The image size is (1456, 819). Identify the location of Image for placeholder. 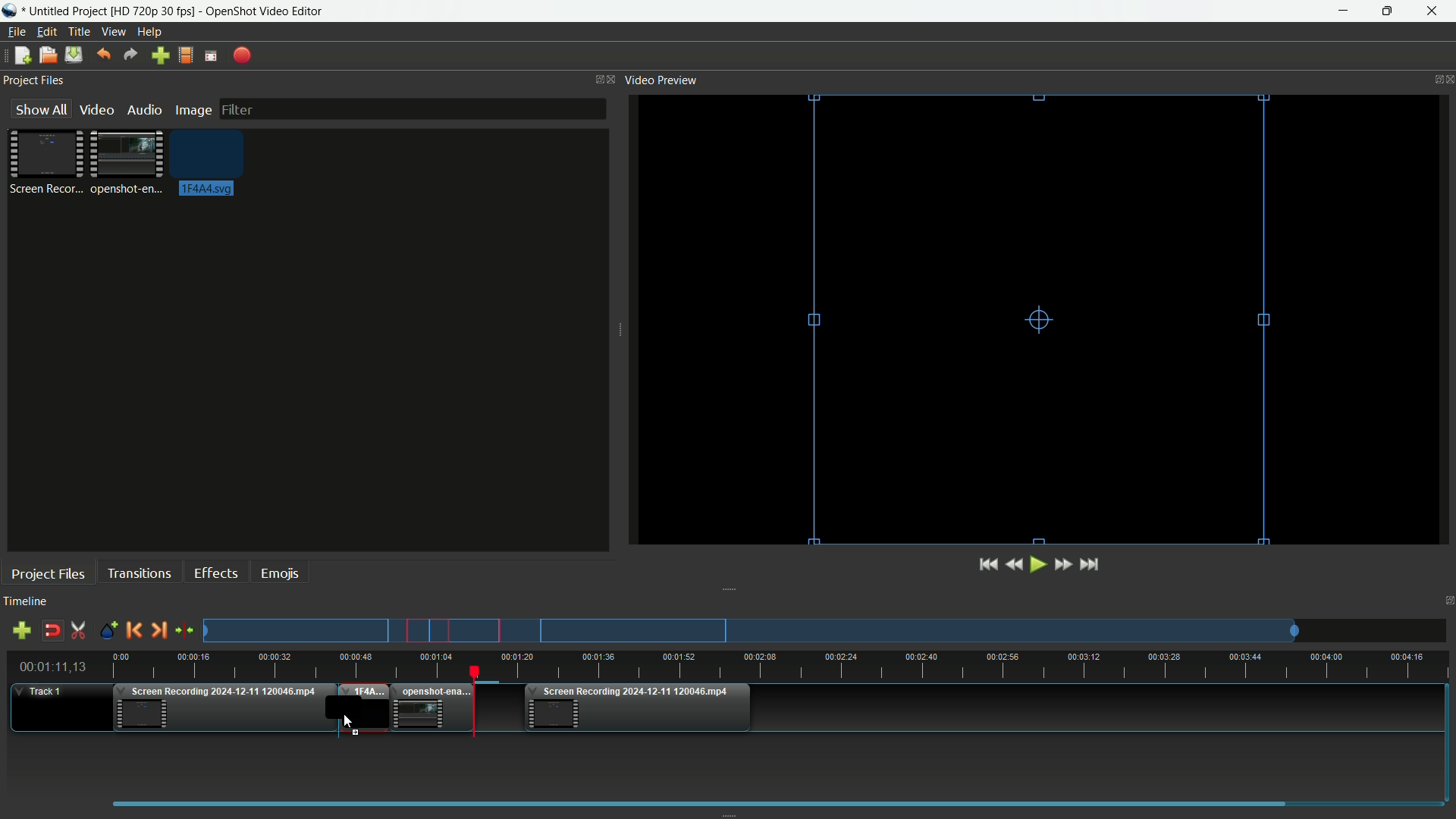
(203, 165).